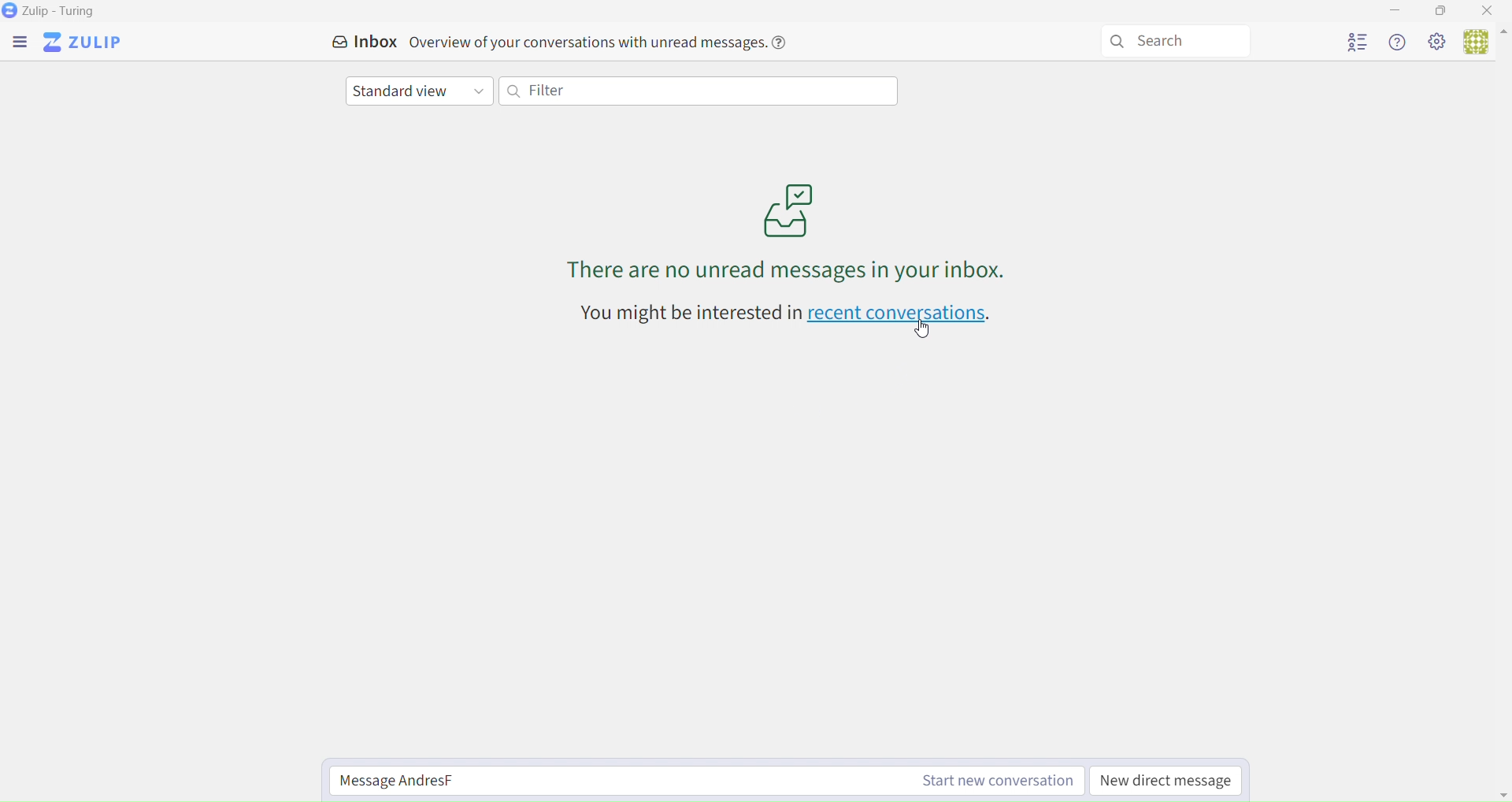 Image resolution: width=1512 pixels, height=802 pixels. What do you see at coordinates (707, 782) in the screenshot?
I see `Start new conversation` at bounding box center [707, 782].